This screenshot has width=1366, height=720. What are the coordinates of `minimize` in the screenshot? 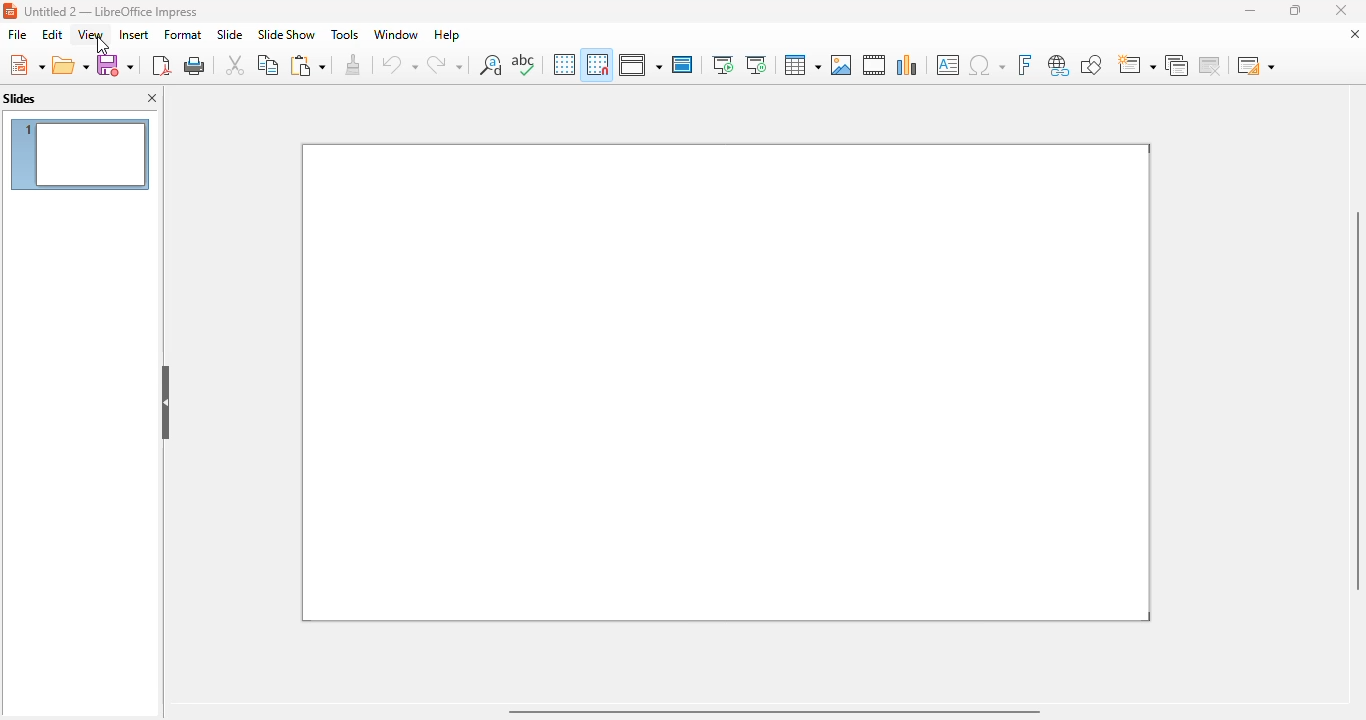 It's located at (1251, 11).